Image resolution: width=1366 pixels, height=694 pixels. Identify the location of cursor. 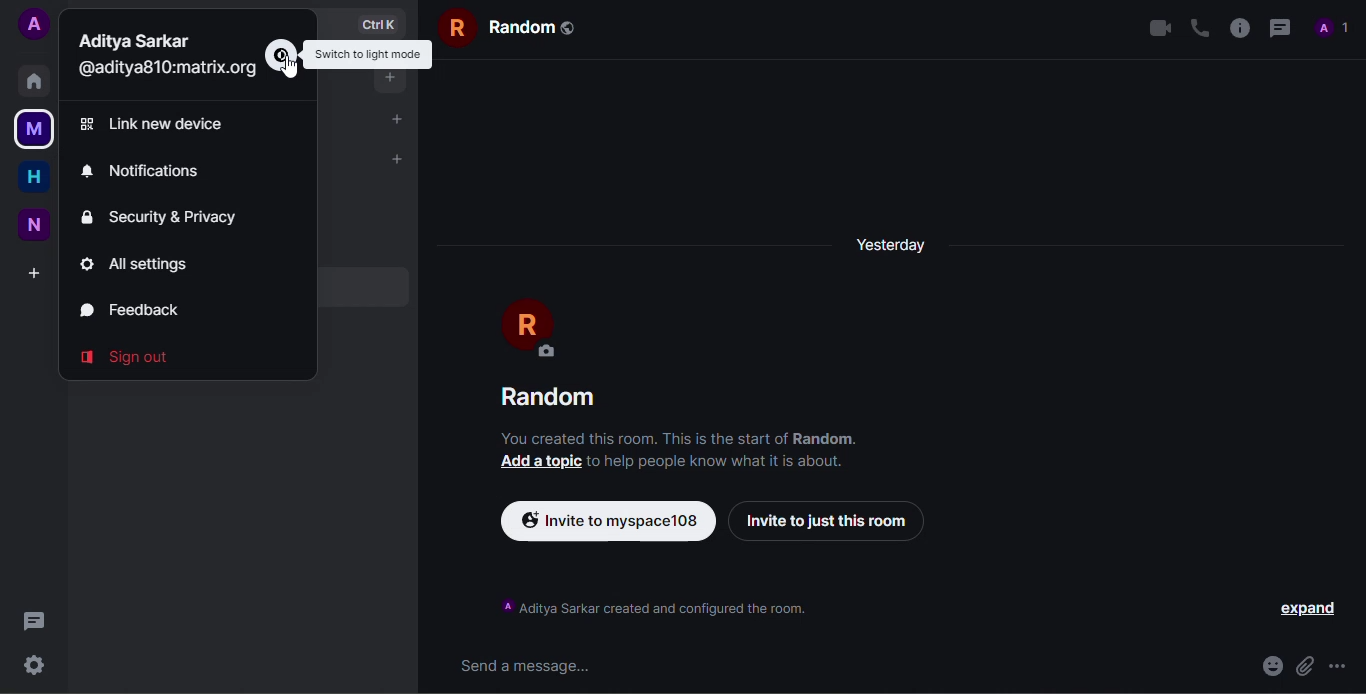
(295, 74).